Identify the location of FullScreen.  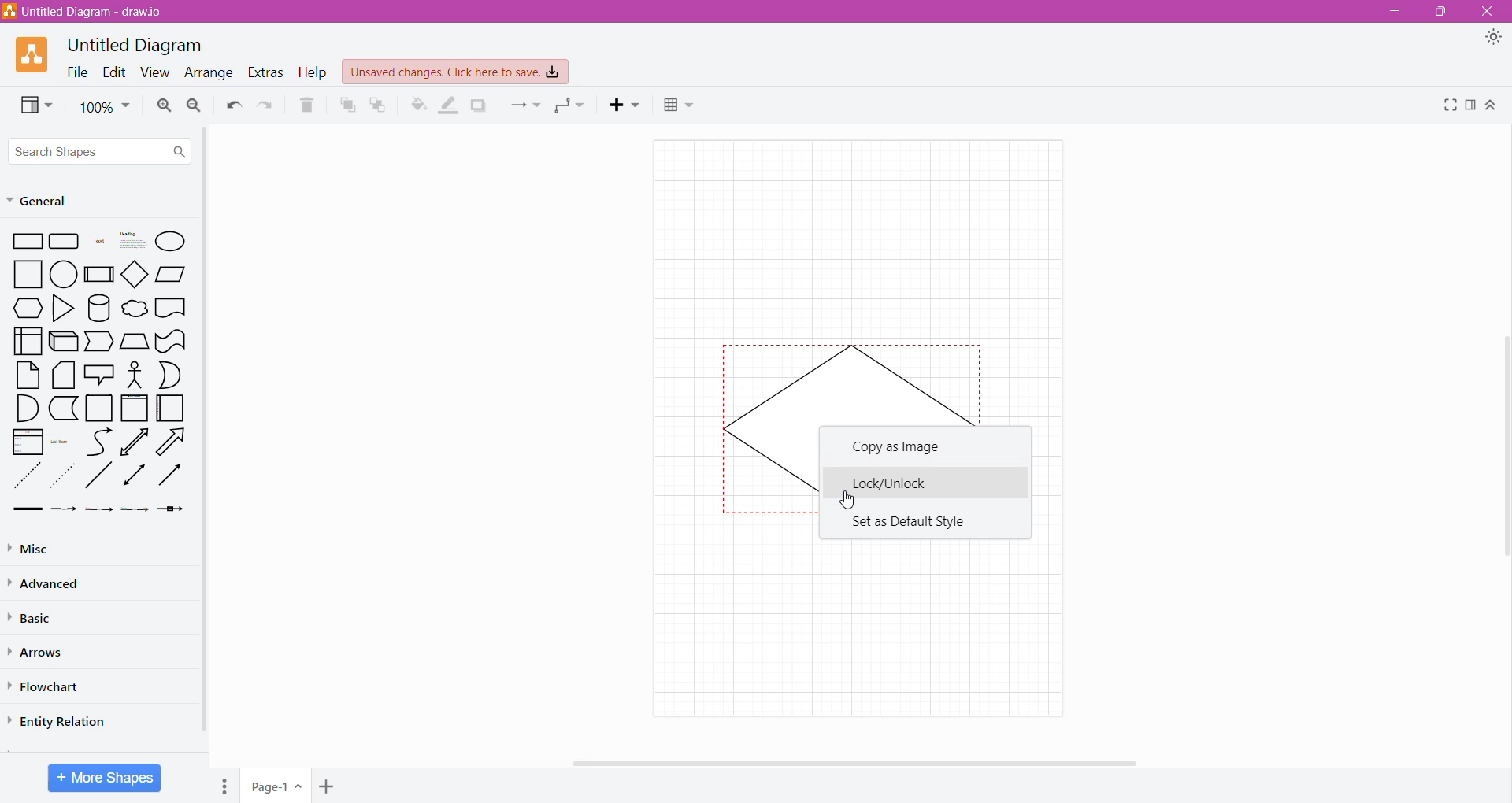
(1448, 105).